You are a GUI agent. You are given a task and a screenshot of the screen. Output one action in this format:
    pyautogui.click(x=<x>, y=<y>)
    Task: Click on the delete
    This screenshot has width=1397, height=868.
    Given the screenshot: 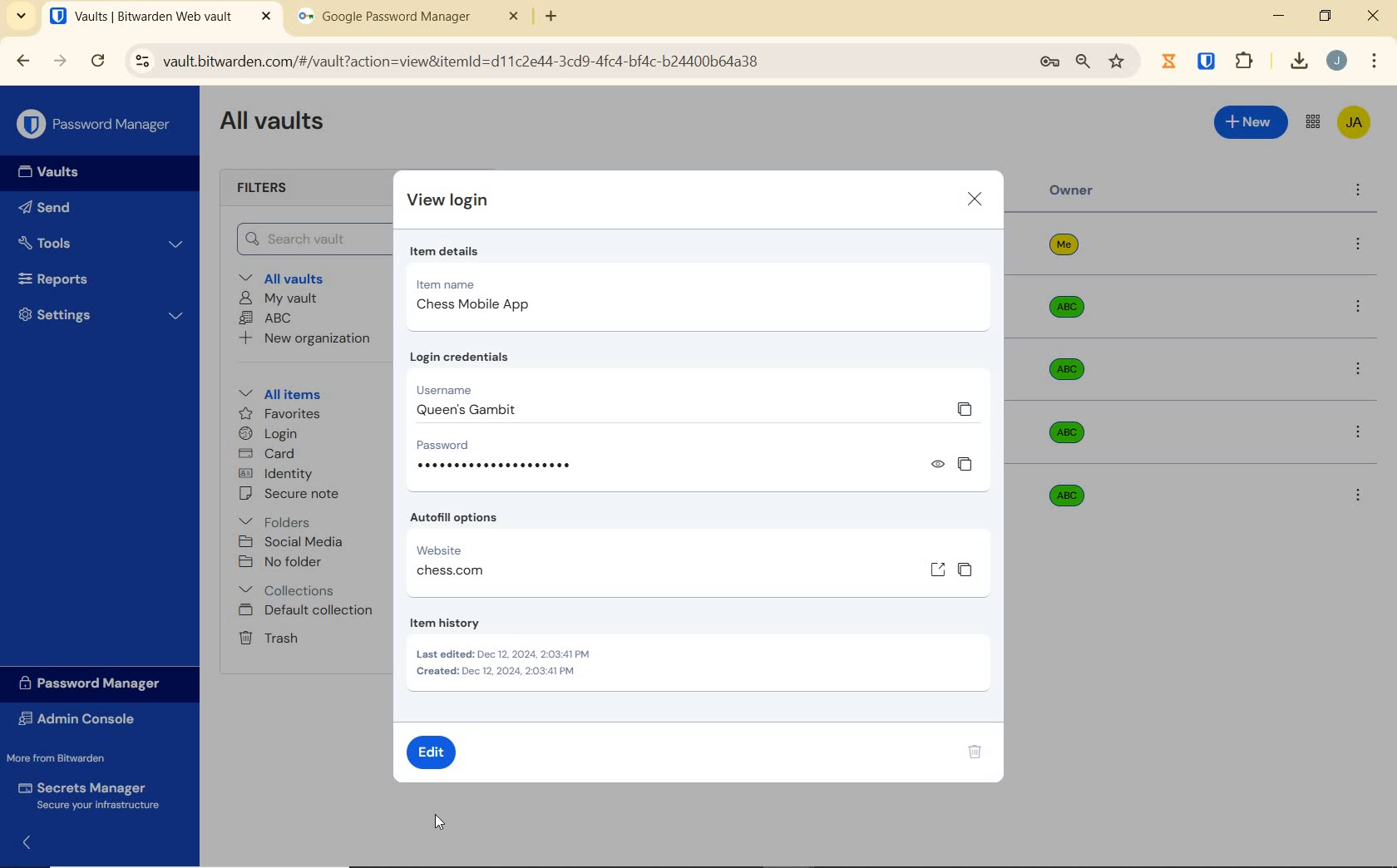 What is the action you would take?
    pyautogui.click(x=972, y=754)
    